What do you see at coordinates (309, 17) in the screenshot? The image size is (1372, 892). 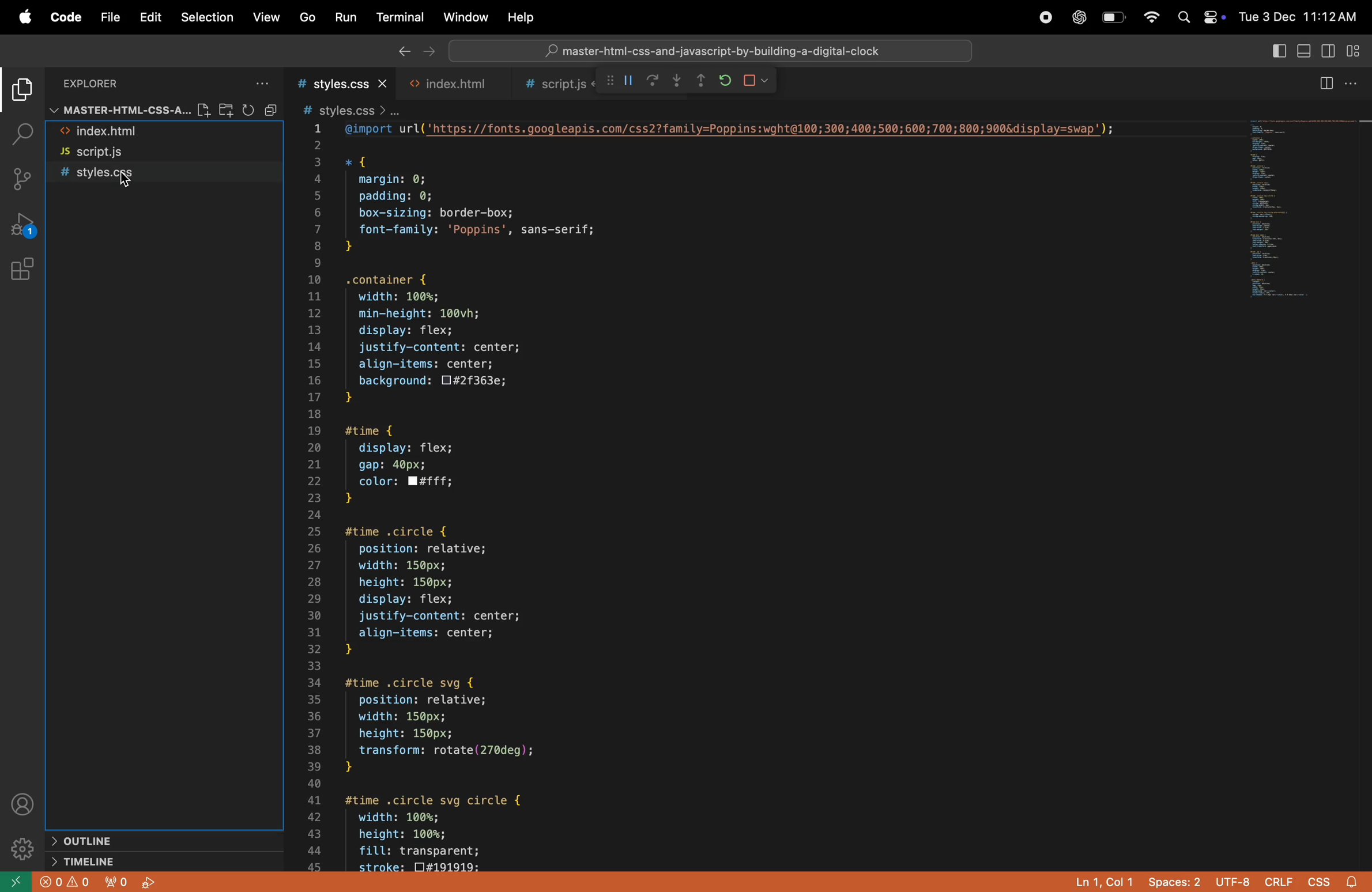 I see `go` at bounding box center [309, 17].